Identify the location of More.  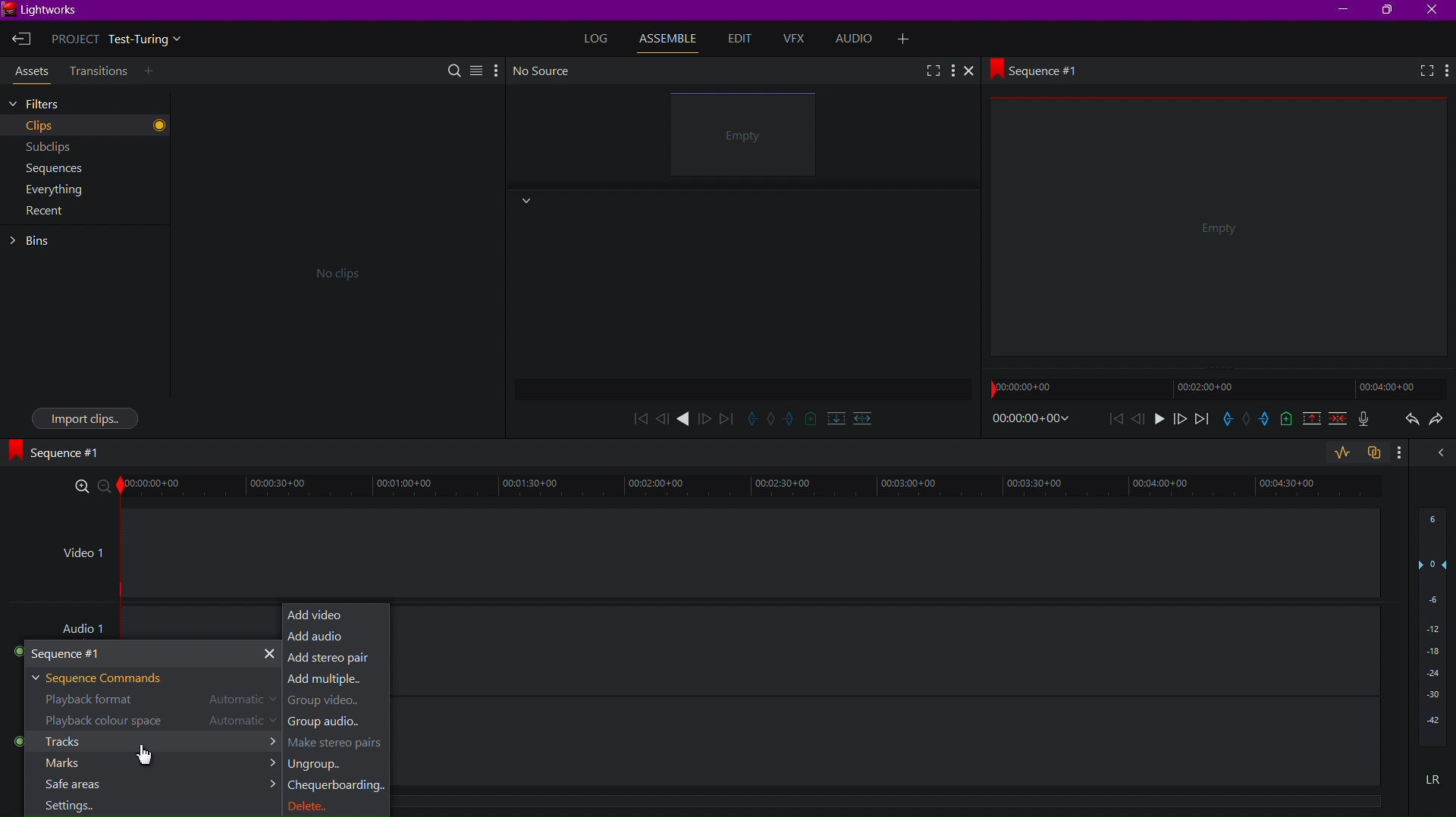
(1404, 455).